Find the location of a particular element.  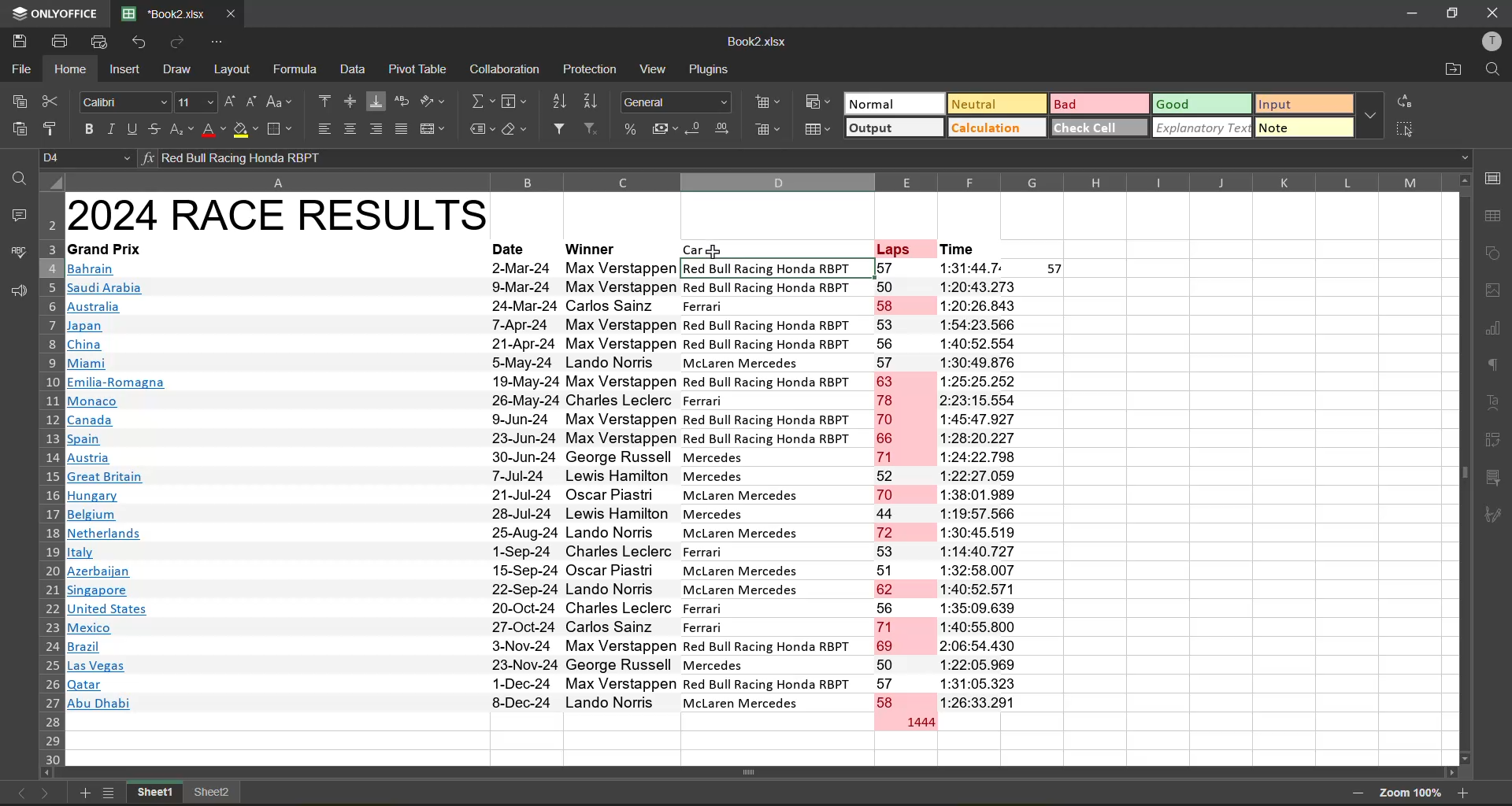

increase decimal is located at coordinates (724, 131).